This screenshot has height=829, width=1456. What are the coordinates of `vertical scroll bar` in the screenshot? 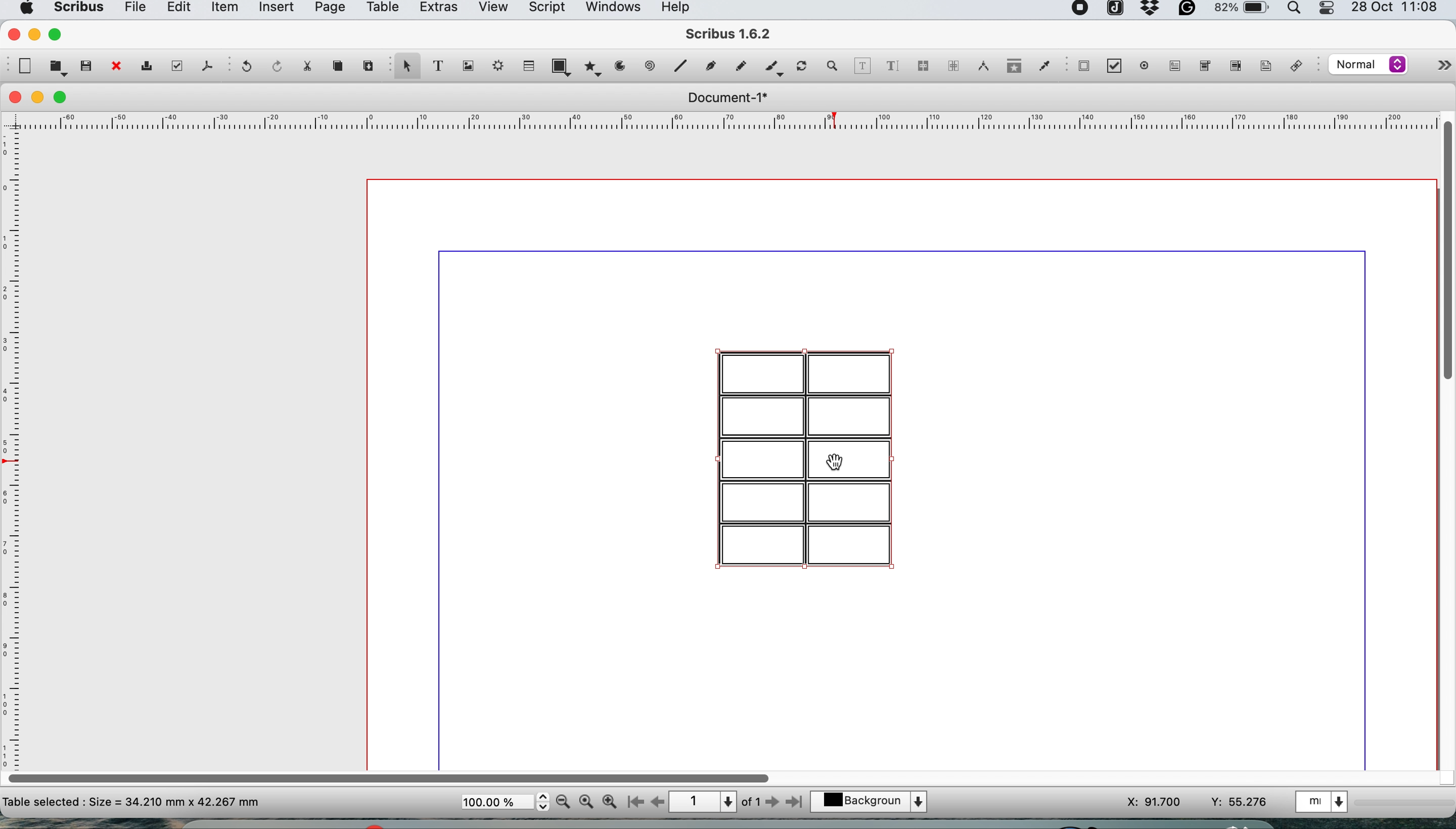 It's located at (1446, 248).